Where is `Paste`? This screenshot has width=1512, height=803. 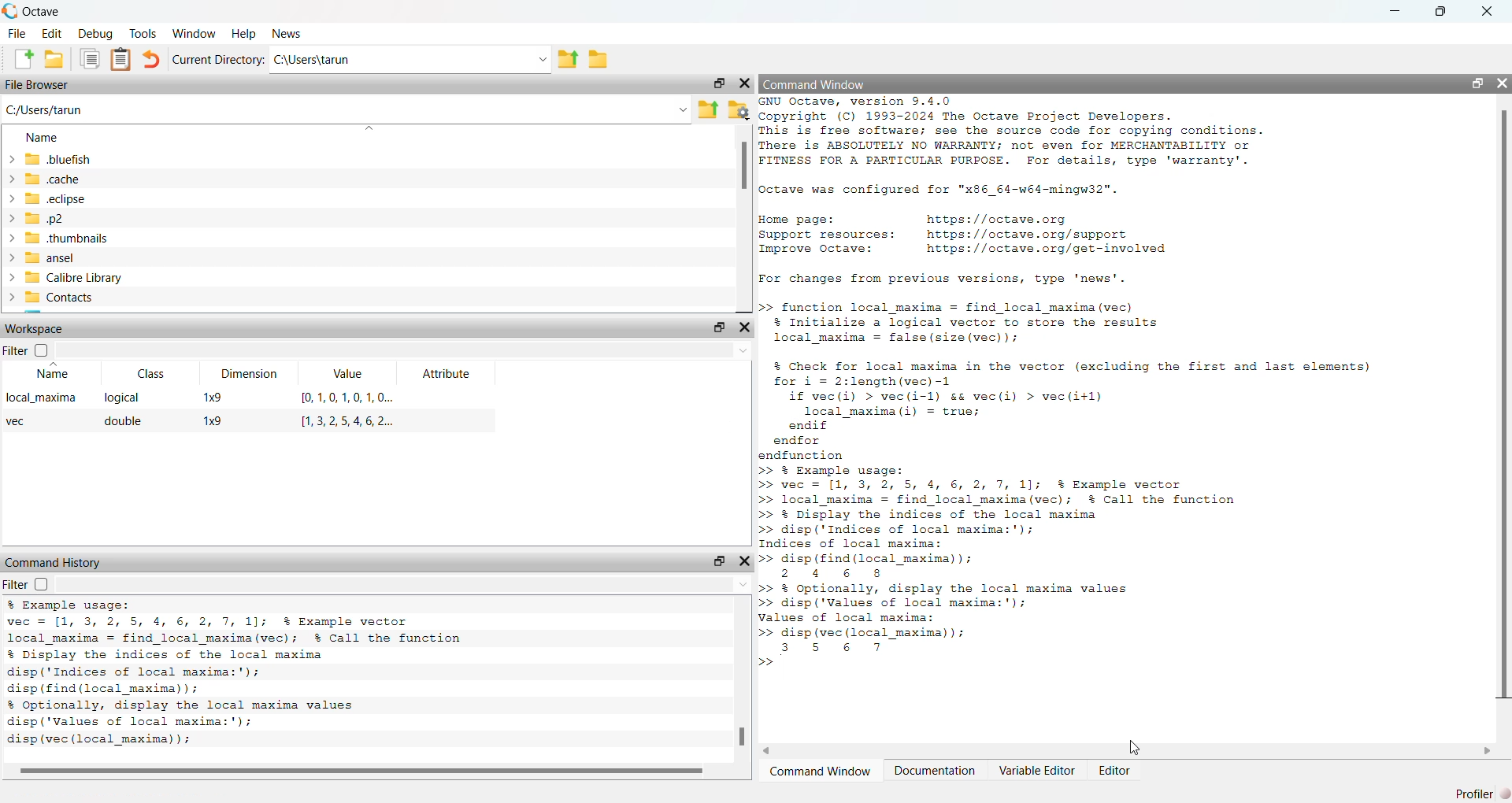 Paste is located at coordinates (120, 60).